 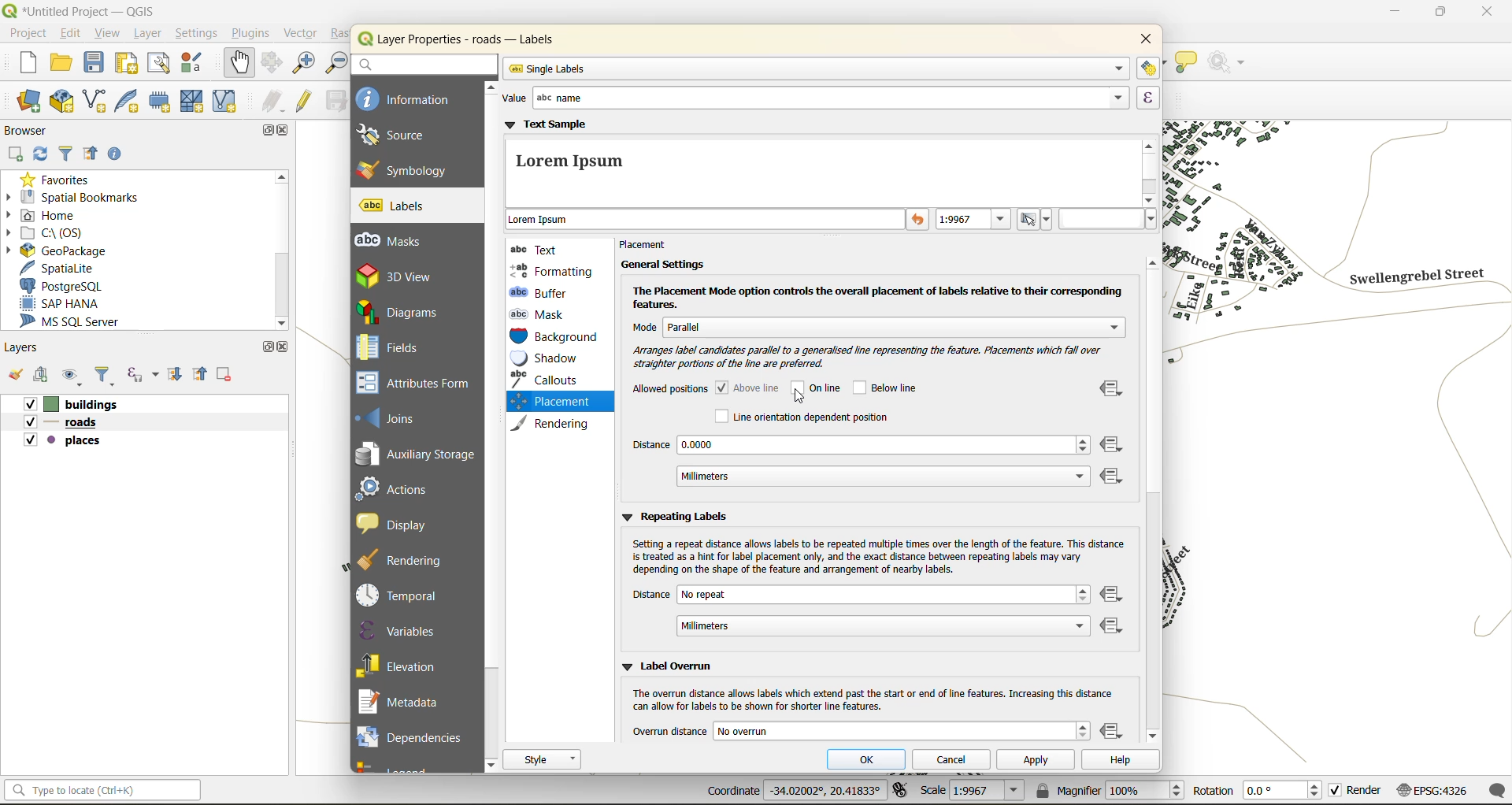 I want to click on w Label Overrun
‘The overrun distance allows labels which extend past the start or end of line features. Increasing this distance.
can allow for labels to be shown for shorter line features., so click(x=865, y=684).